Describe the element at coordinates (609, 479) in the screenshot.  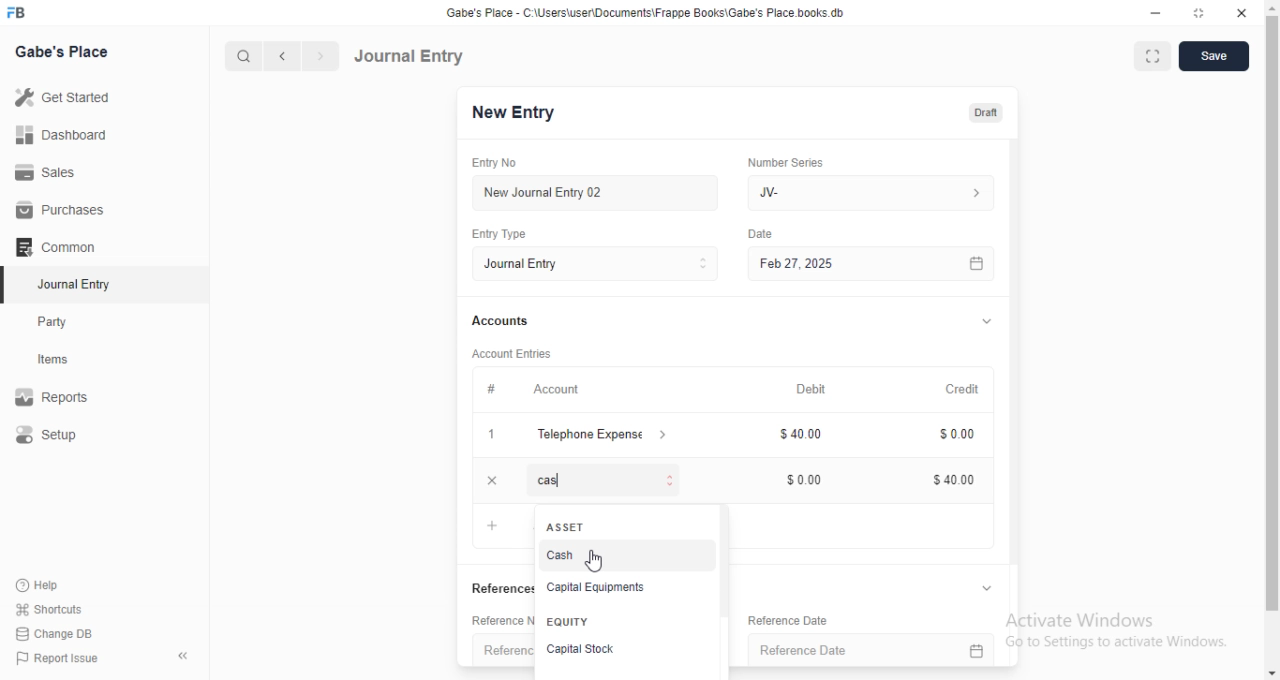
I see `Ca` at that location.